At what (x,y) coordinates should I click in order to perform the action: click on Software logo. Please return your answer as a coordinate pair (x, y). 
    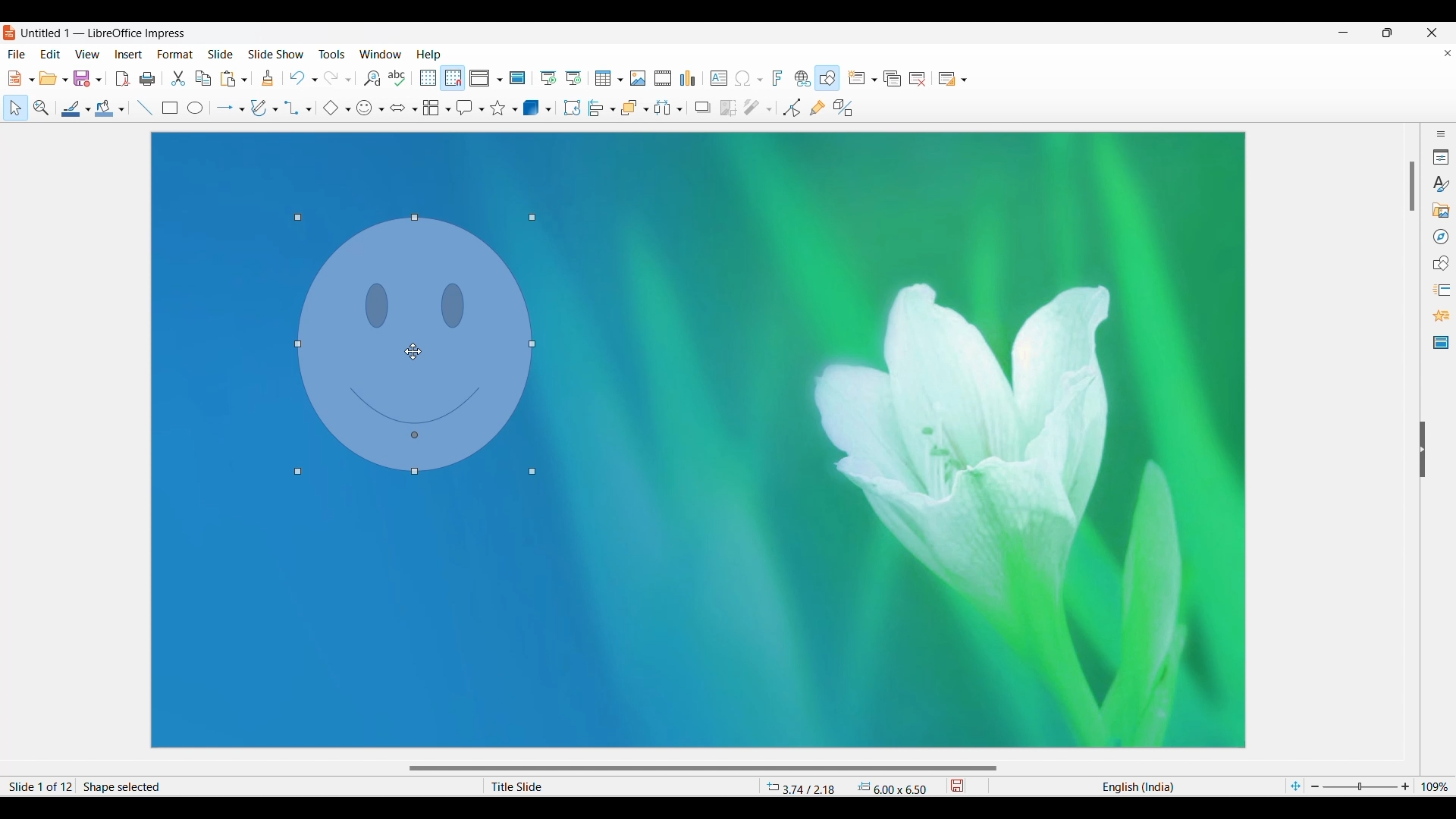
    Looking at the image, I should click on (10, 33).